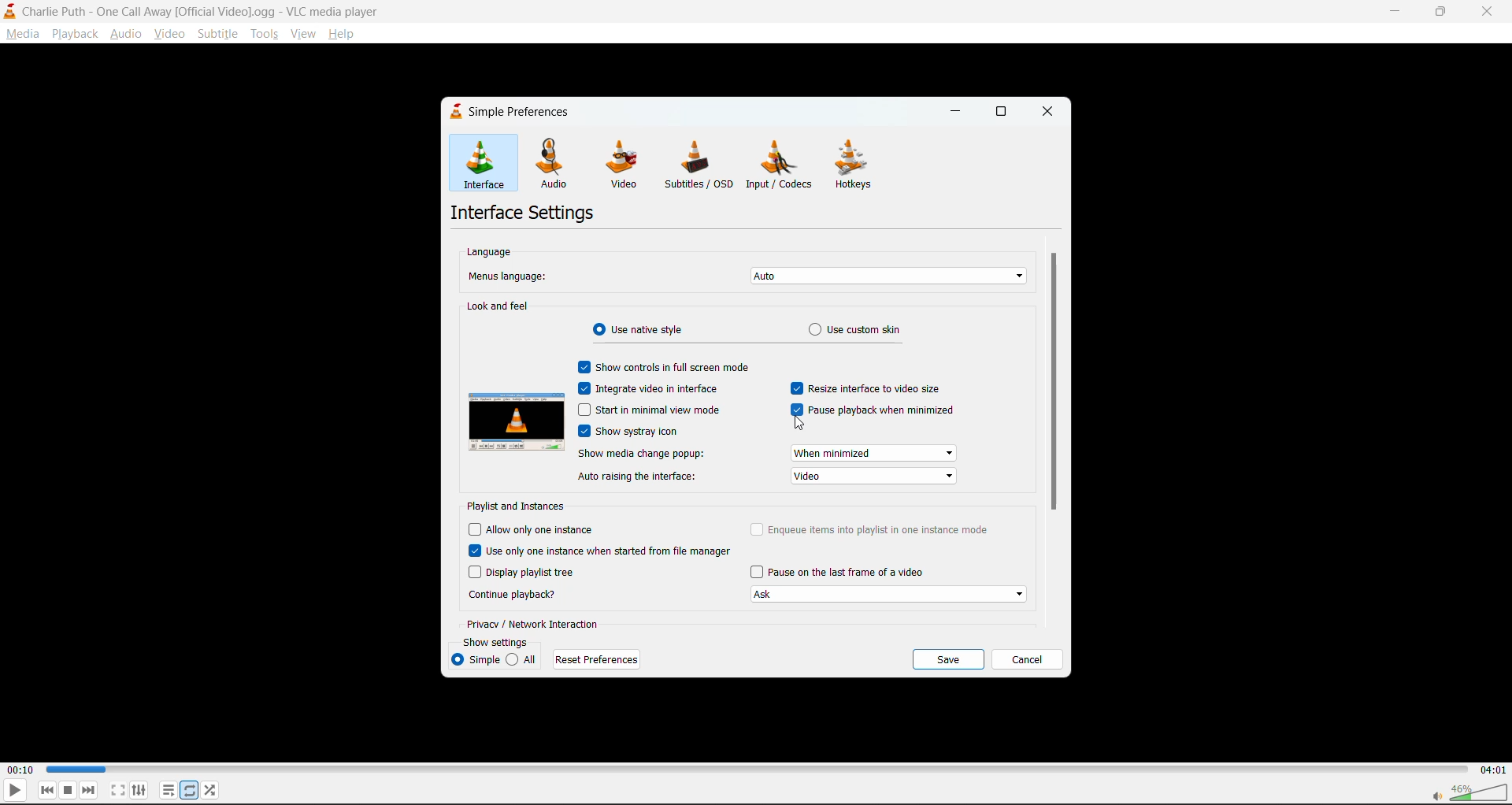  What do you see at coordinates (87, 792) in the screenshot?
I see `next` at bounding box center [87, 792].